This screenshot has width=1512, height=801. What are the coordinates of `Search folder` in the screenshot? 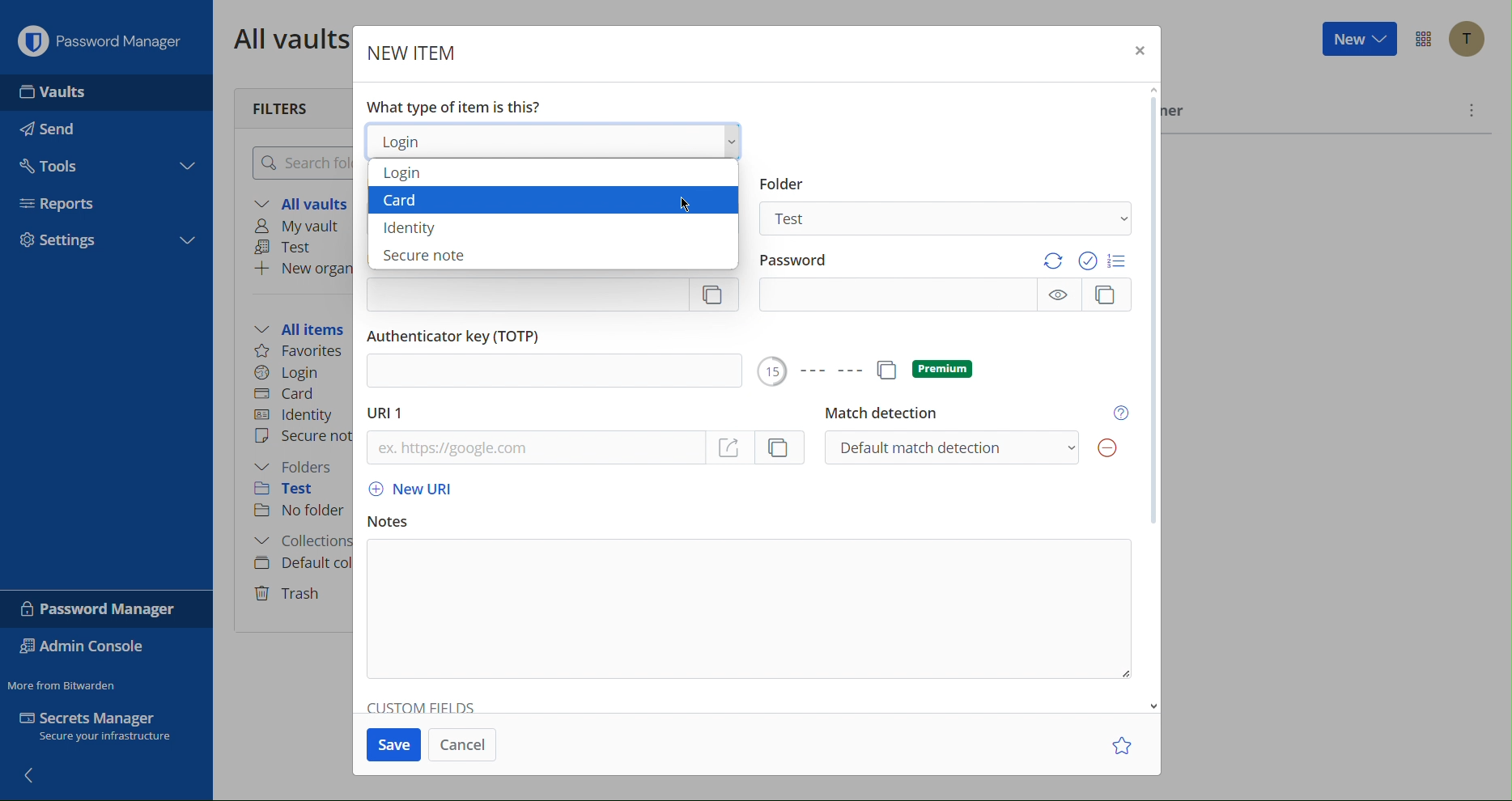 It's located at (303, 162).